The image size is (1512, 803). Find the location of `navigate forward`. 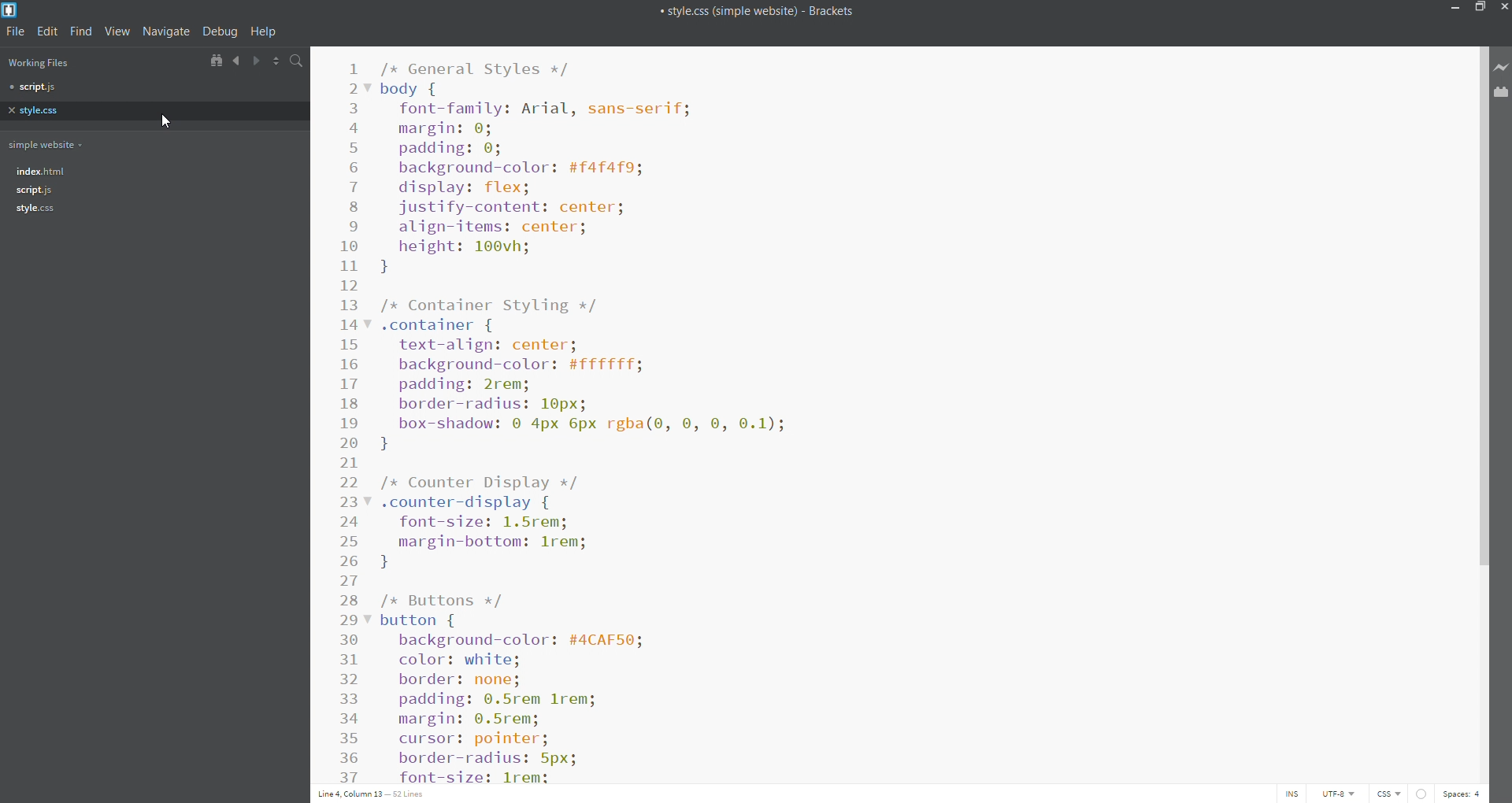

navigate forward is located at coordinates (258, 61).